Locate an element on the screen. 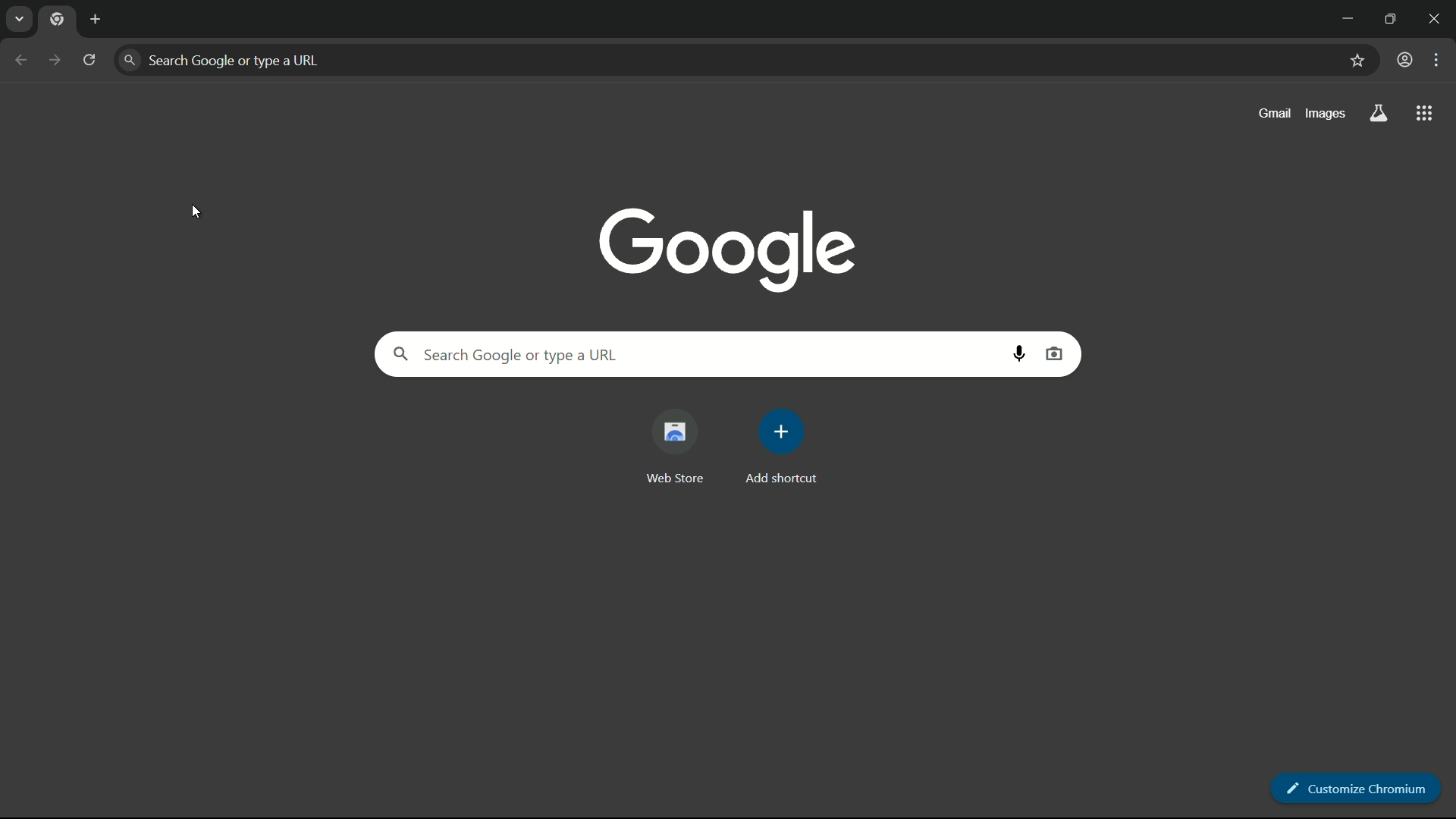 The image size is (1456, 819). maximize or restore is located at coordinates (1392, 17).